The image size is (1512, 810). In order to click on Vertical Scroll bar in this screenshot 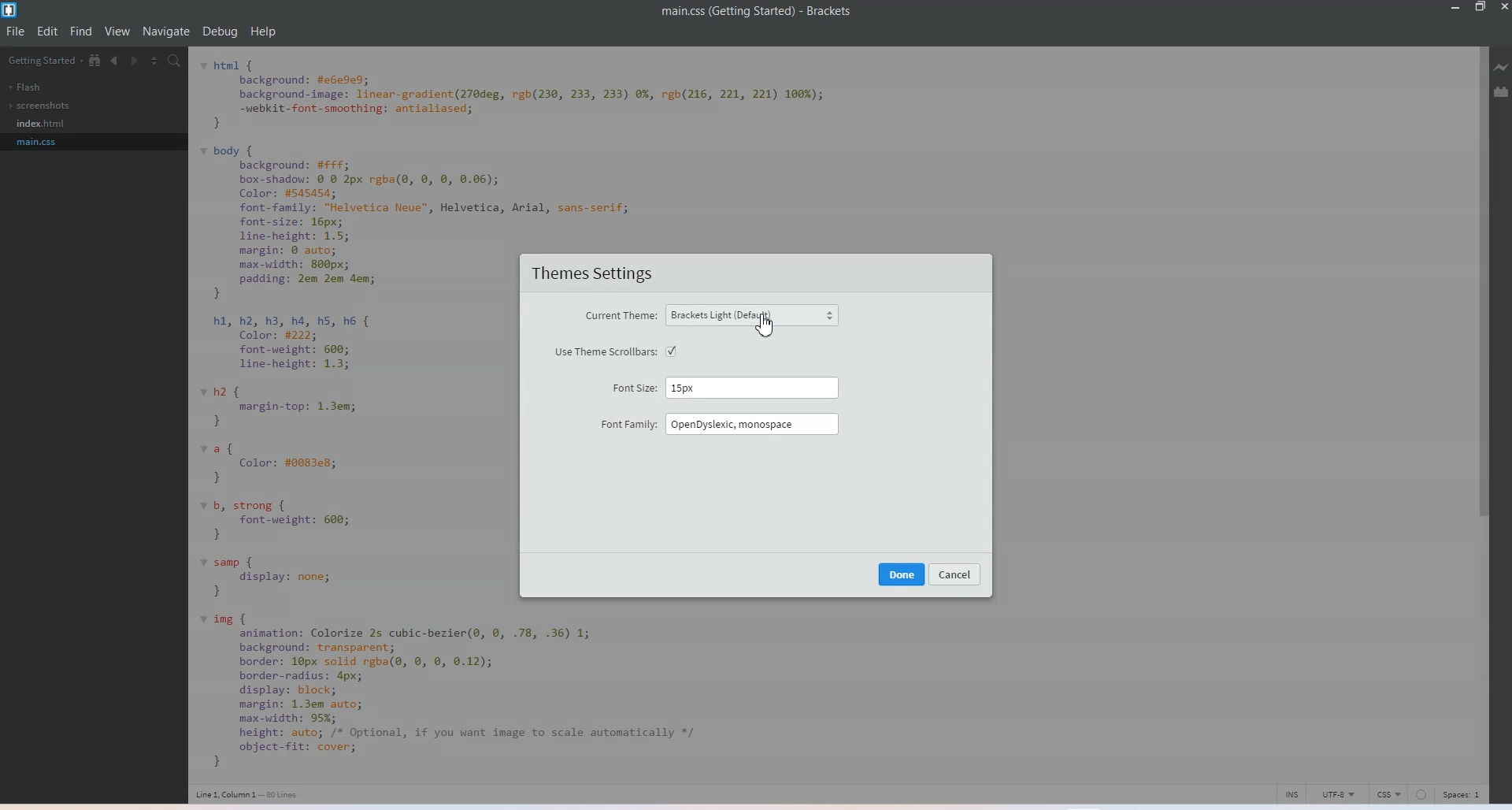, I will do `click(1481, 411)`.